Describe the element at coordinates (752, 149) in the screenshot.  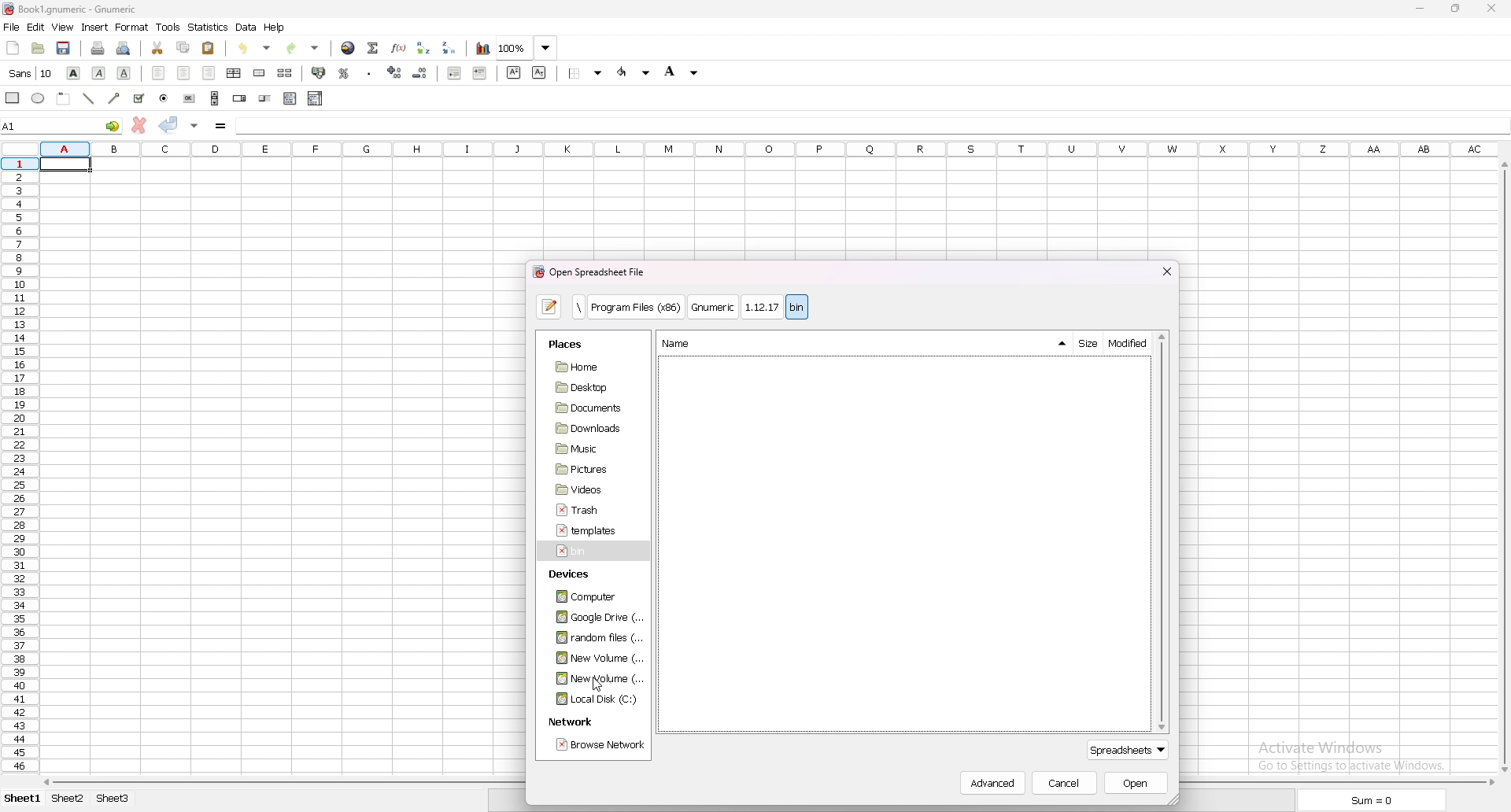
I see `columns` at that location.